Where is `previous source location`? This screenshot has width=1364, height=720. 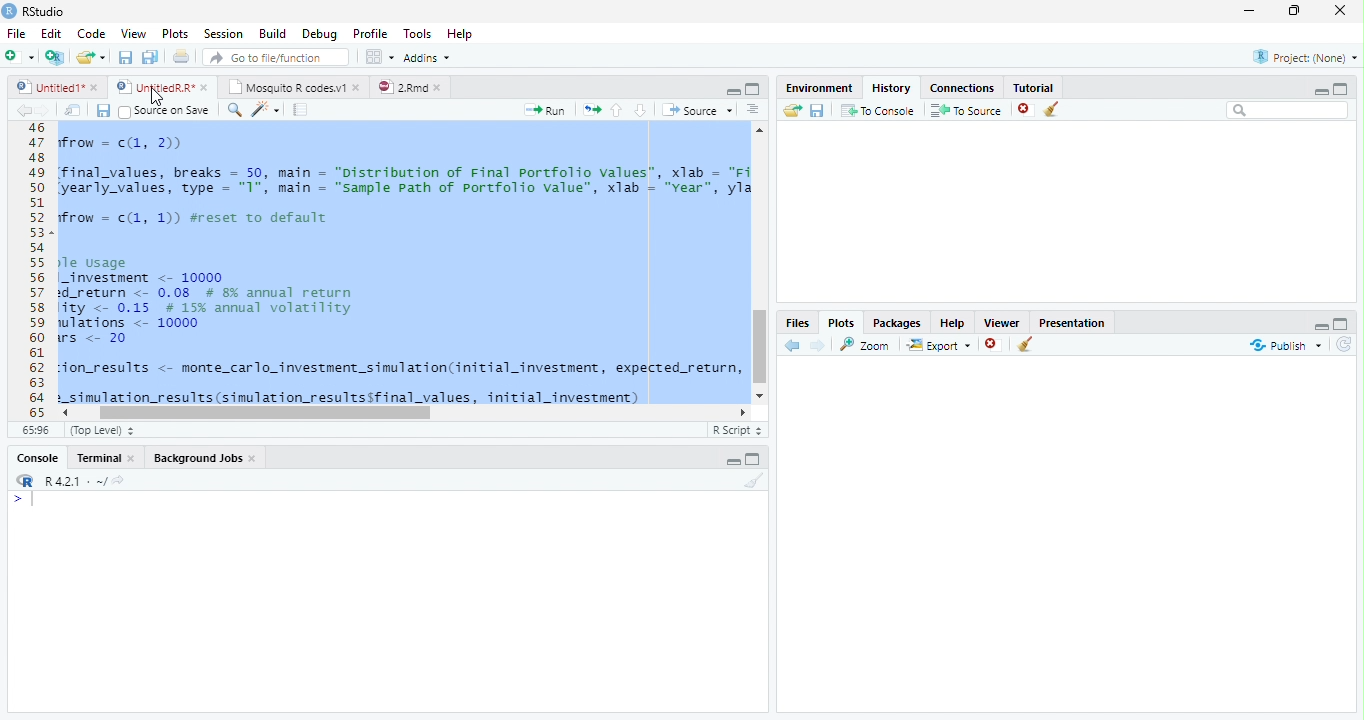 previous source location is located at coordinates (23, 110).